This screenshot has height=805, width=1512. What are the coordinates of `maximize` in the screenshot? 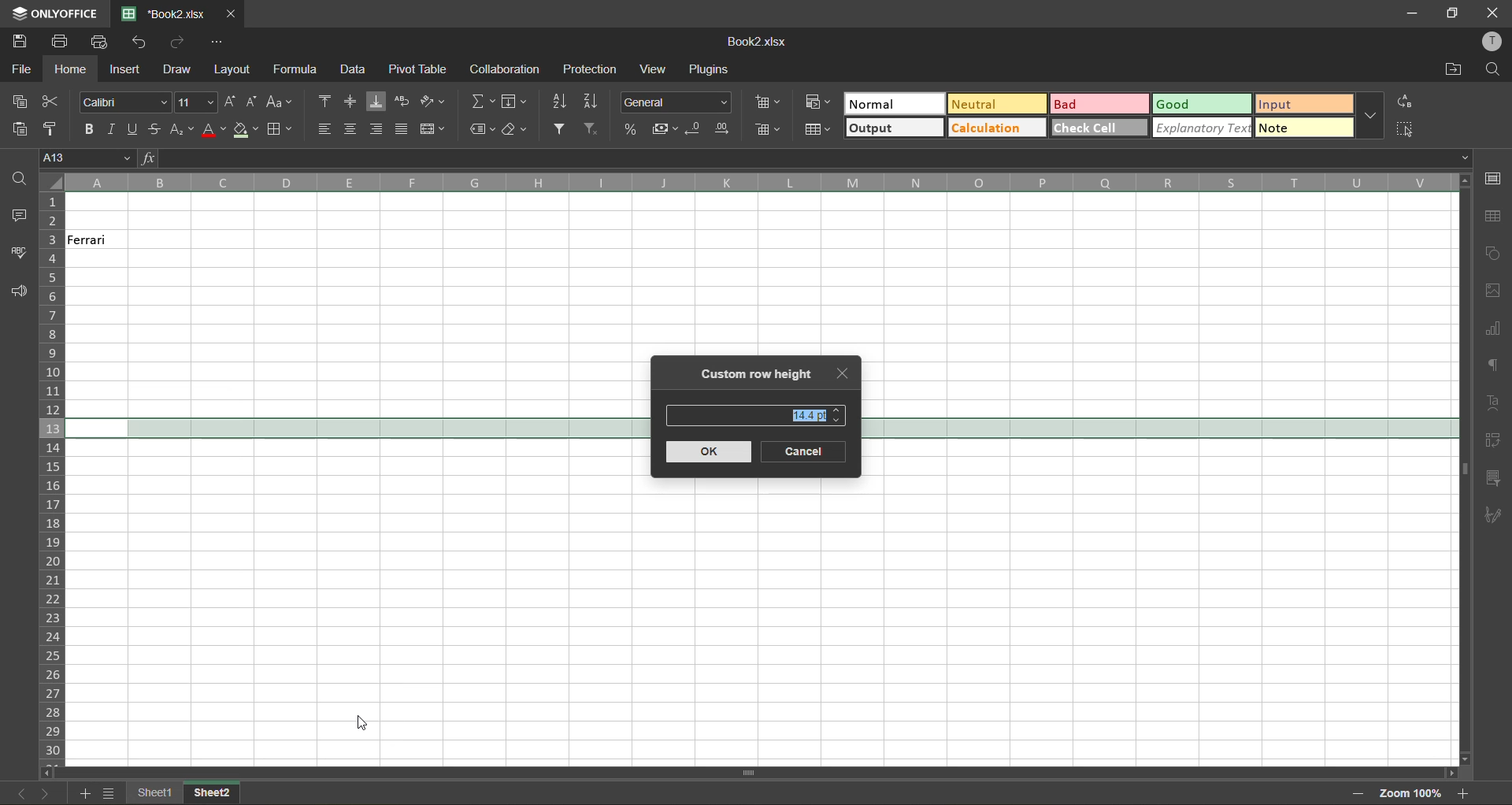 It's located at (1455, 13).